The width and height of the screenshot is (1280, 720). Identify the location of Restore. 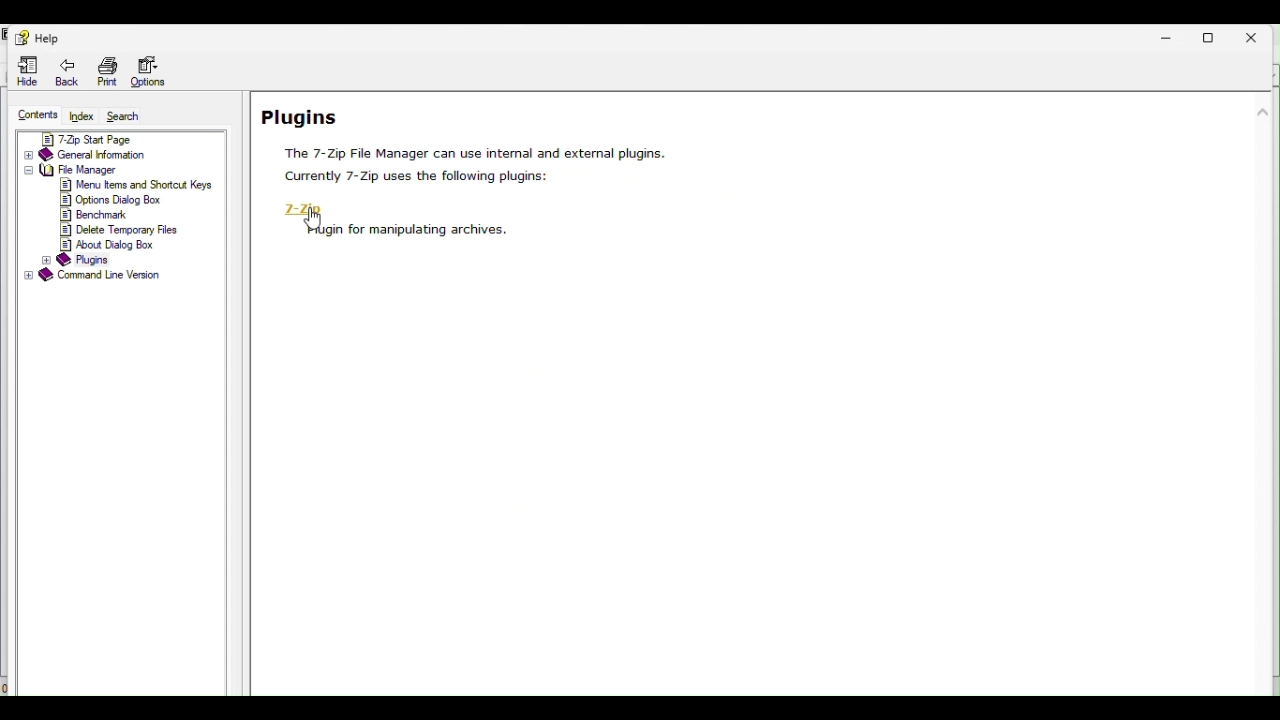
(1216, 36).